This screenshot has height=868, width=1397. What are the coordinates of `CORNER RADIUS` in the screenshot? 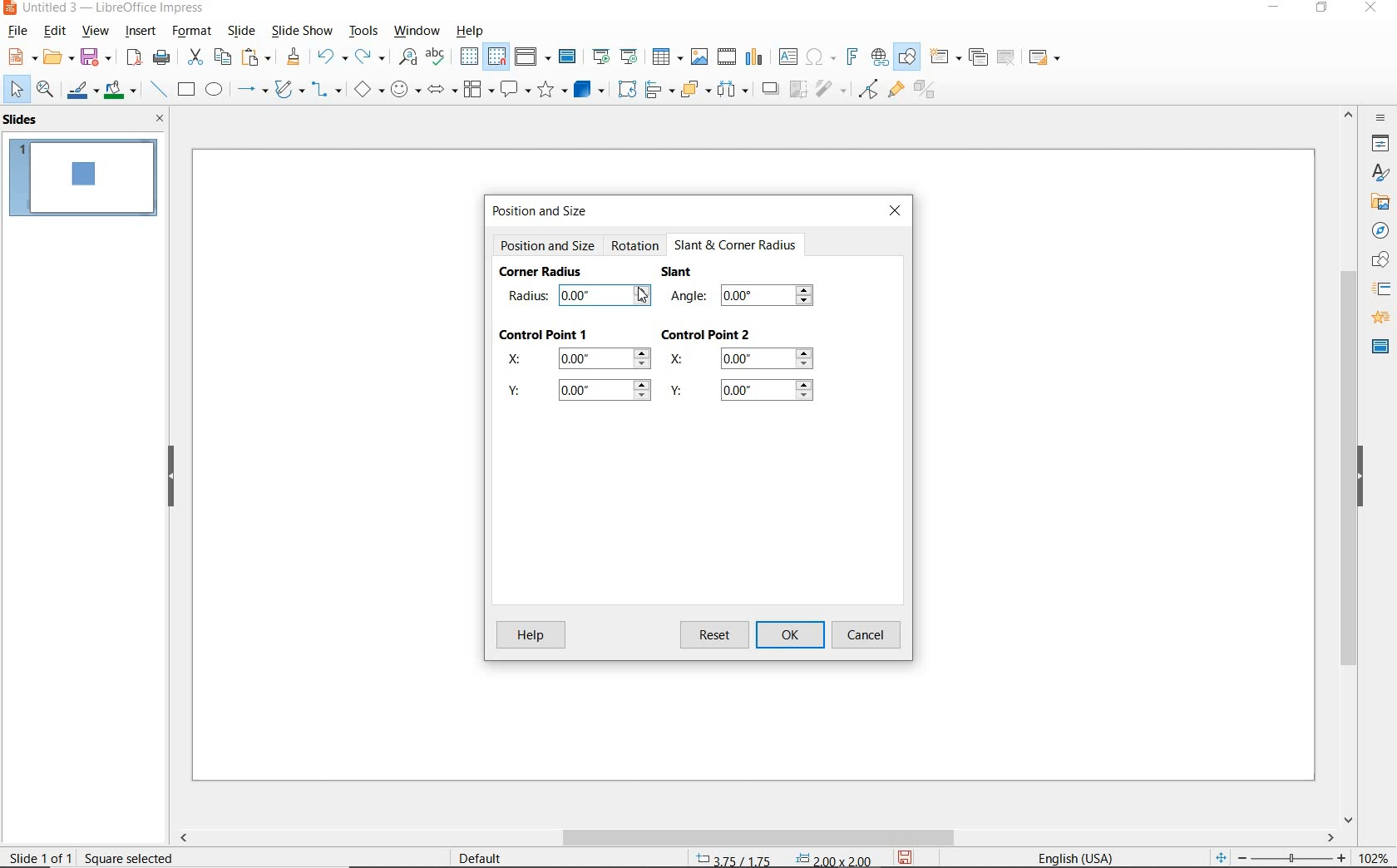 It's located at (542, 273).